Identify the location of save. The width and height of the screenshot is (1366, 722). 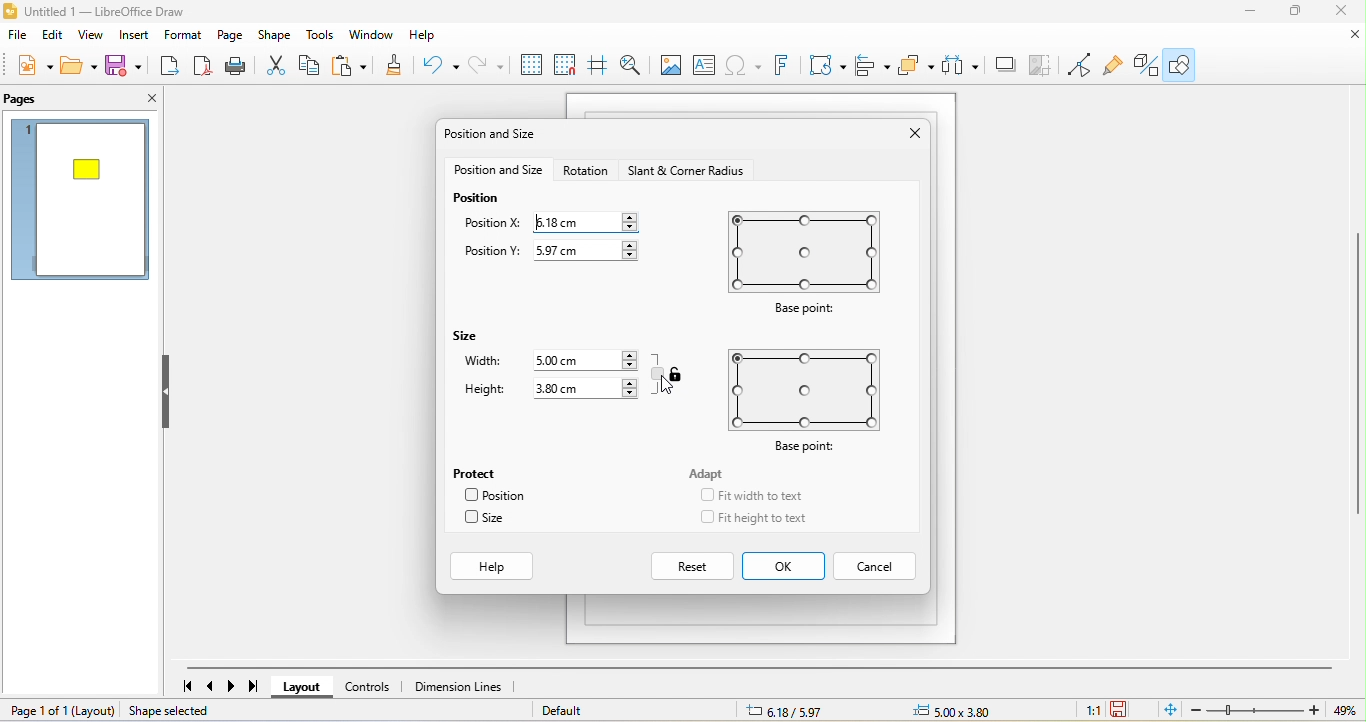
(125, 67).